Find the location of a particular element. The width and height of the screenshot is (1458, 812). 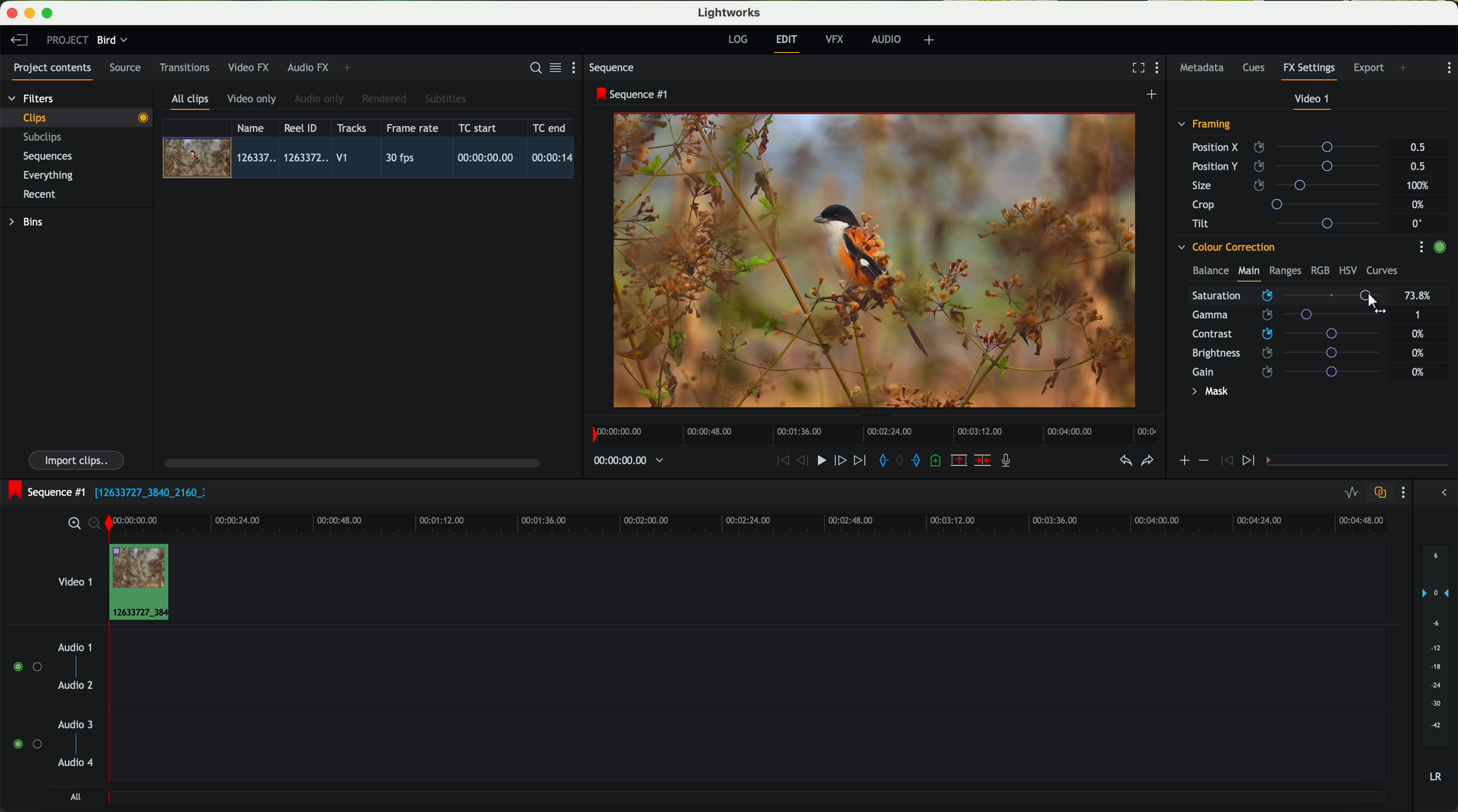

add a cue at the current position is located at coordinates (937, 461).